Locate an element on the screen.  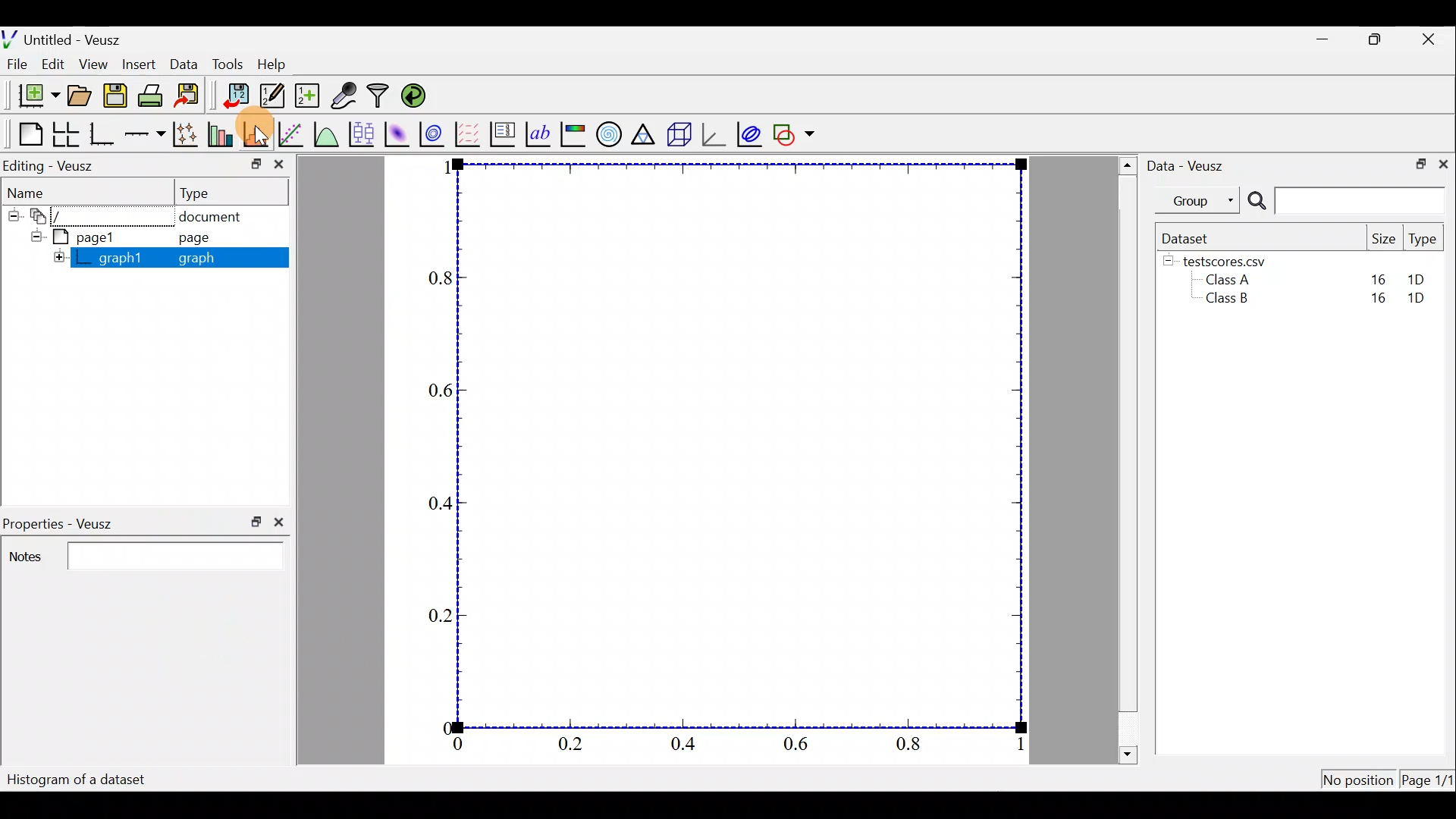
graph1 is located at coordinates (117, 257).